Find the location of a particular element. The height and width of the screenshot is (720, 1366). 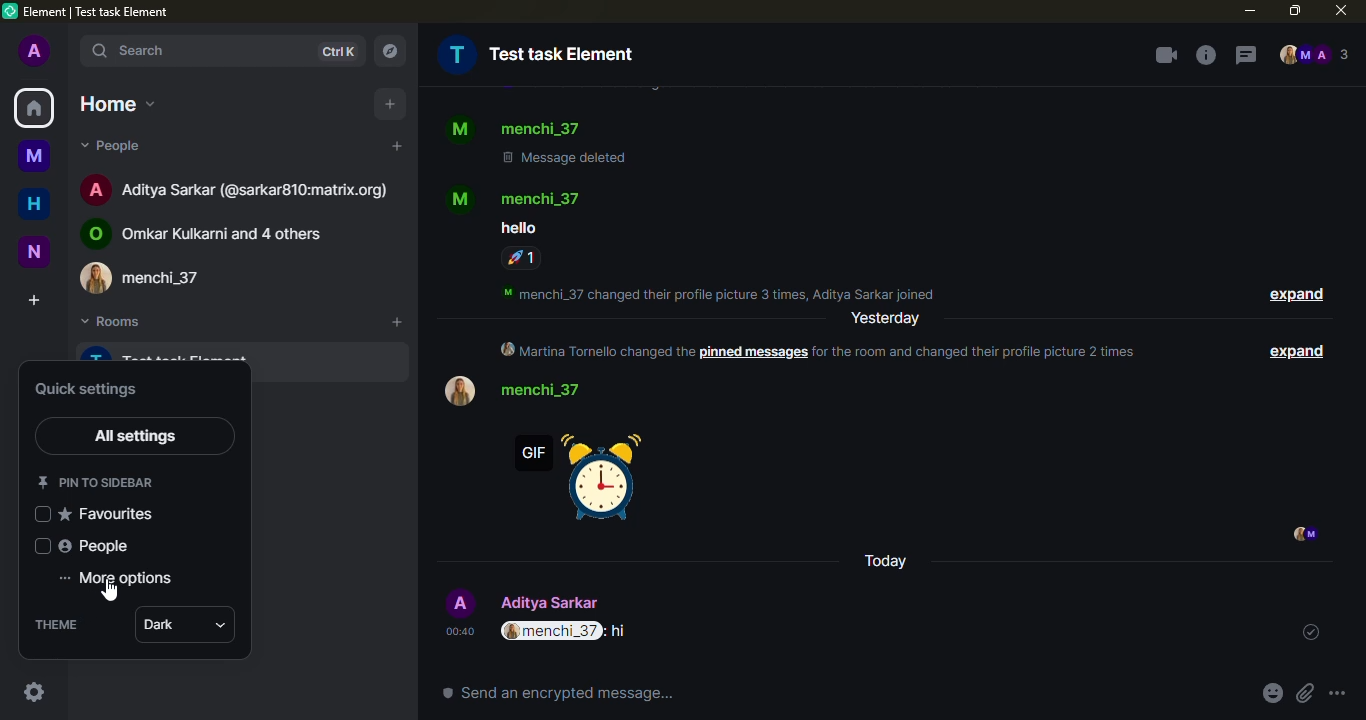

profile is located at coordinates (33, 52).